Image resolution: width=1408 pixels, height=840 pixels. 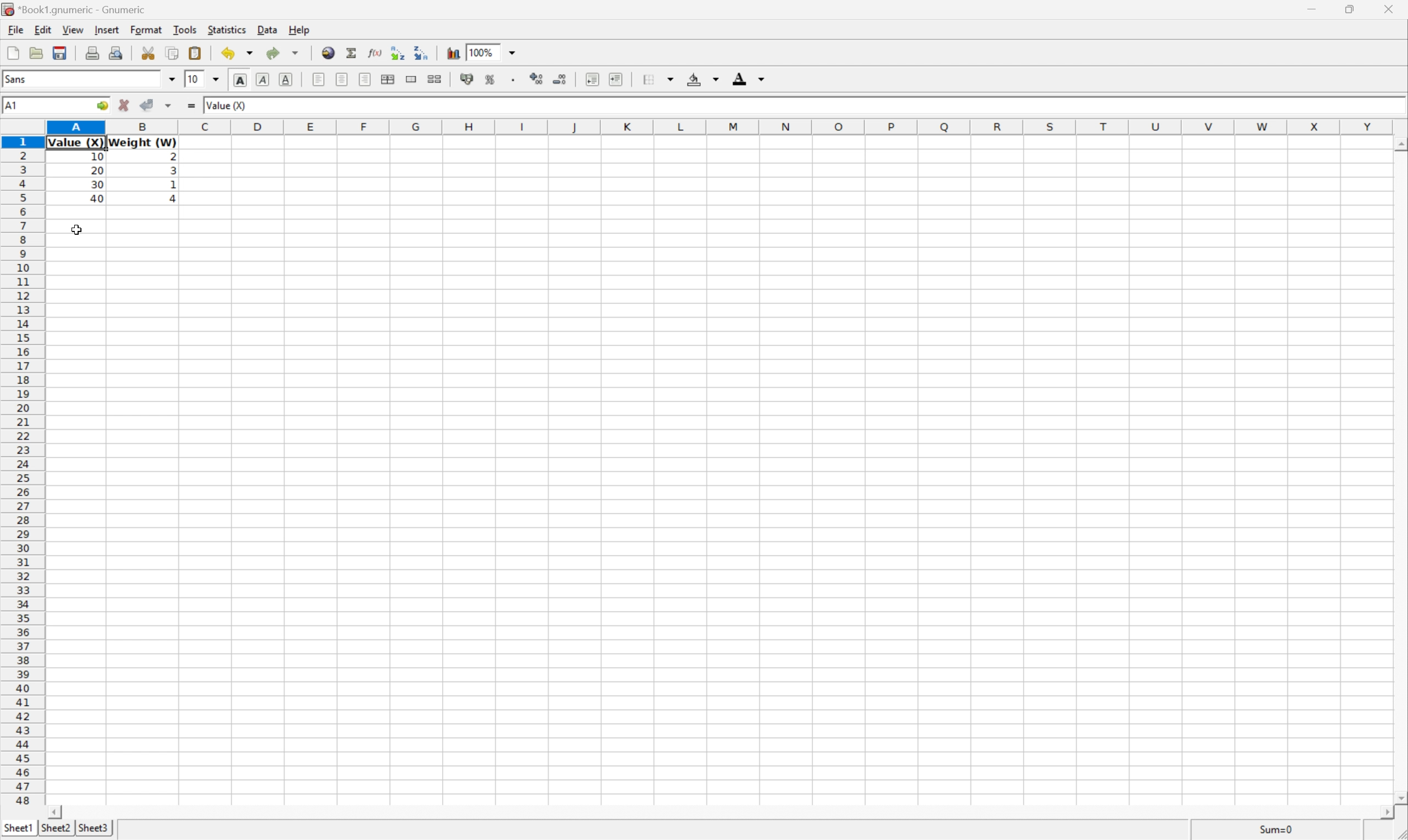 What do you see at coordinates (75, 142) in the screenshot?
I see `Value (X)` at bounding box center [75, 142].